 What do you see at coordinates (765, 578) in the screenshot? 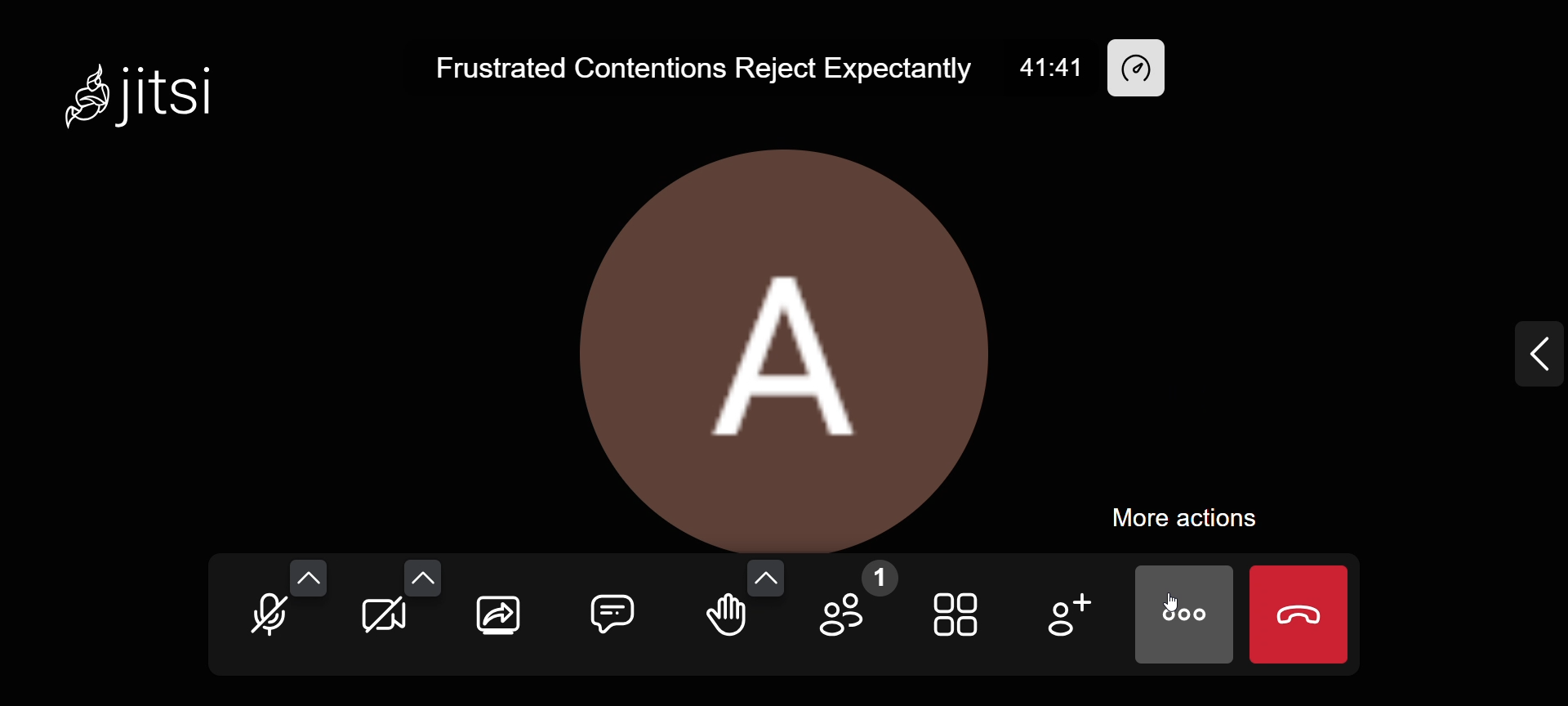
I see `more reaction ` at bounding box center [765, 578].